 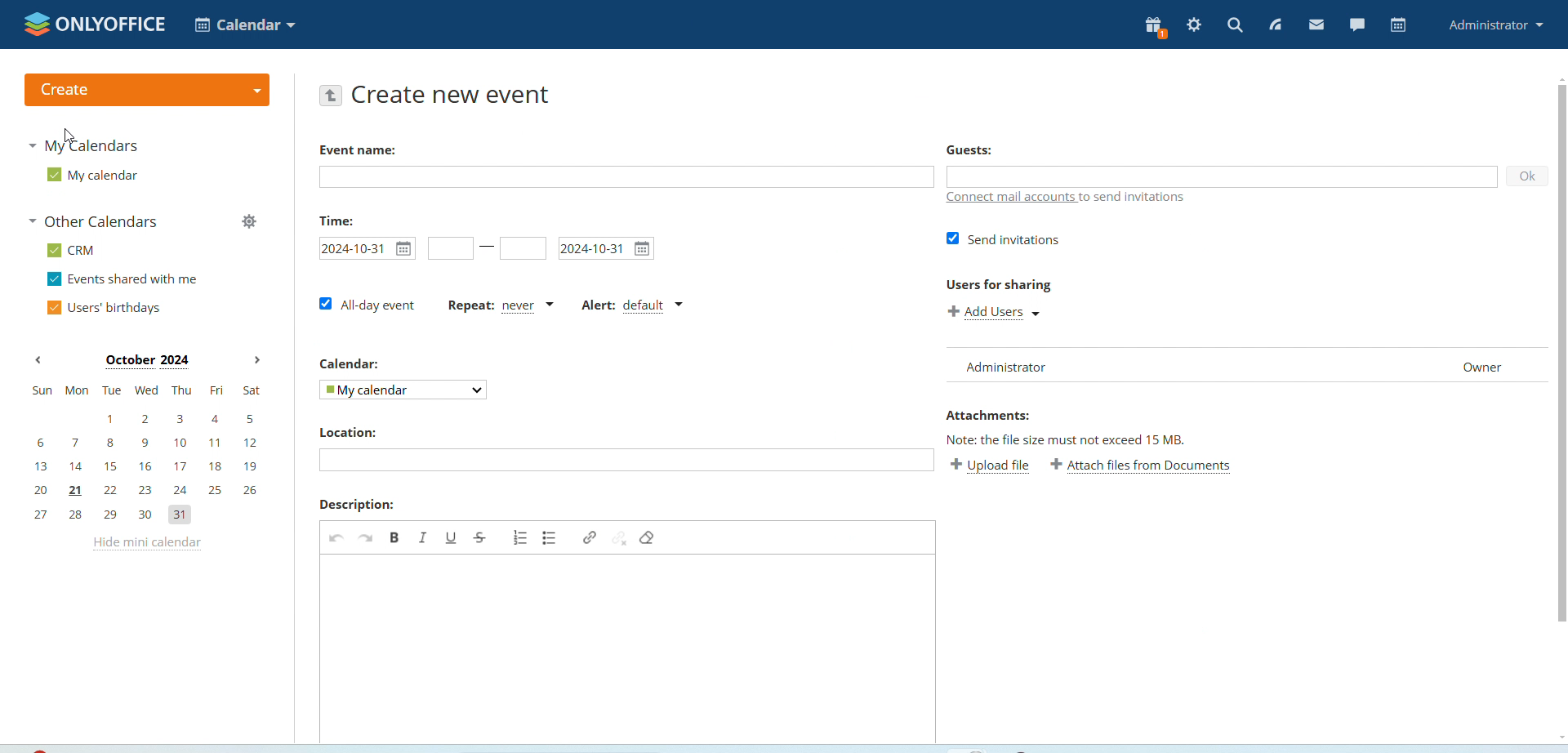 I want to click on repeat dropdown, so click(x=501, y=306).